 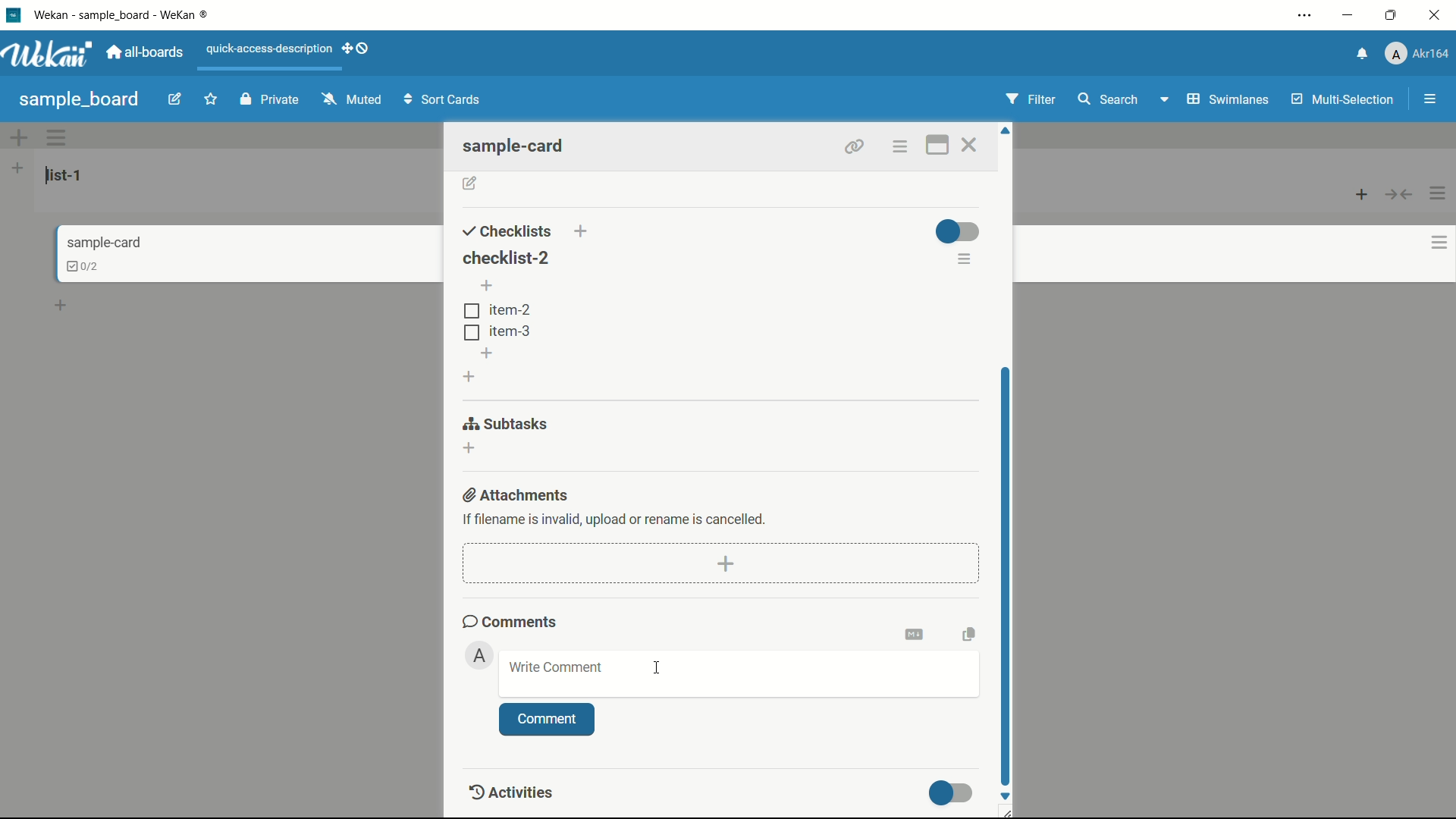 What do you see at coordinates (1109, 99) in the screenshot?
I see `search` at bounding box center [1109, 99].